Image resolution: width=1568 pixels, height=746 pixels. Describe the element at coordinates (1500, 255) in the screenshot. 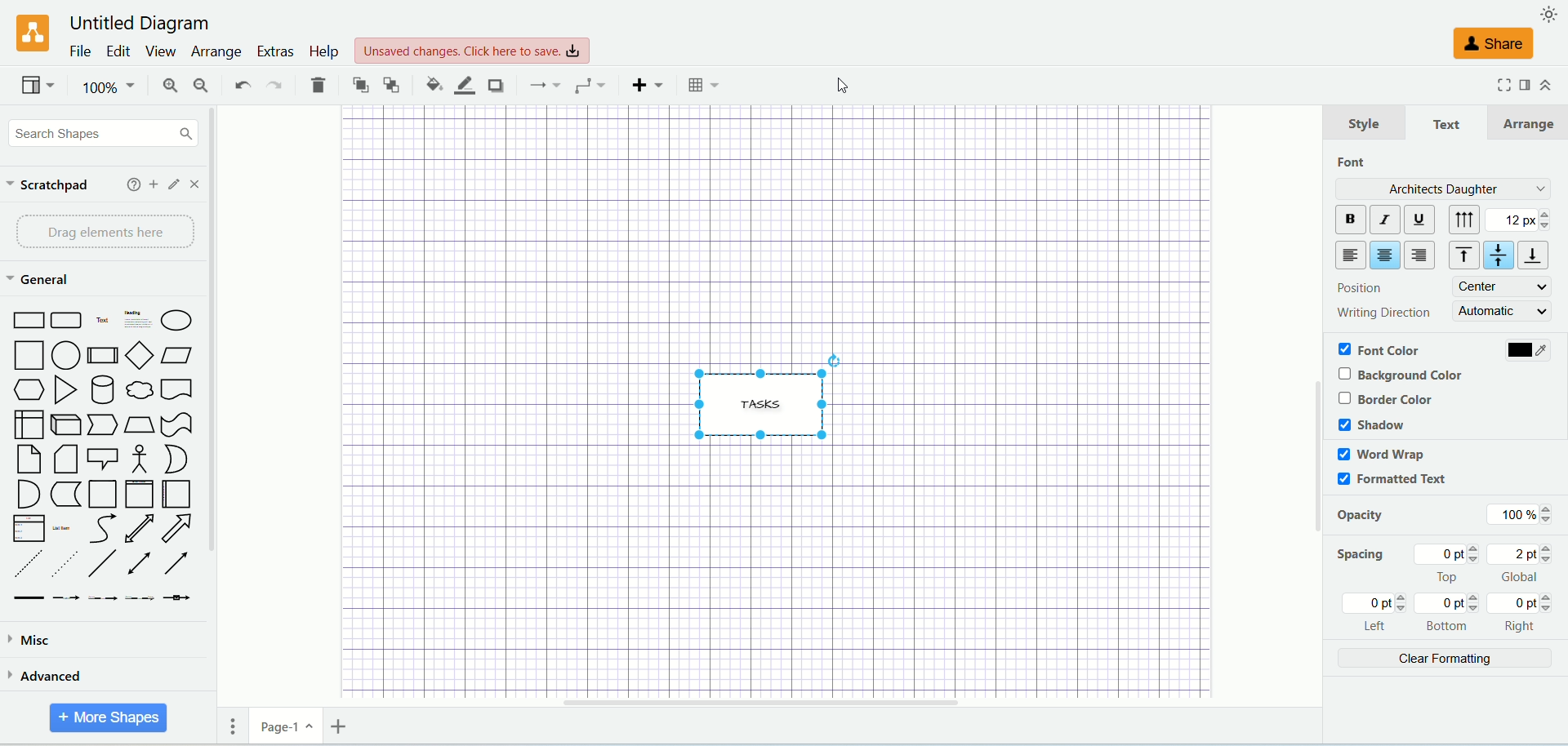

I see `middle` at that location.